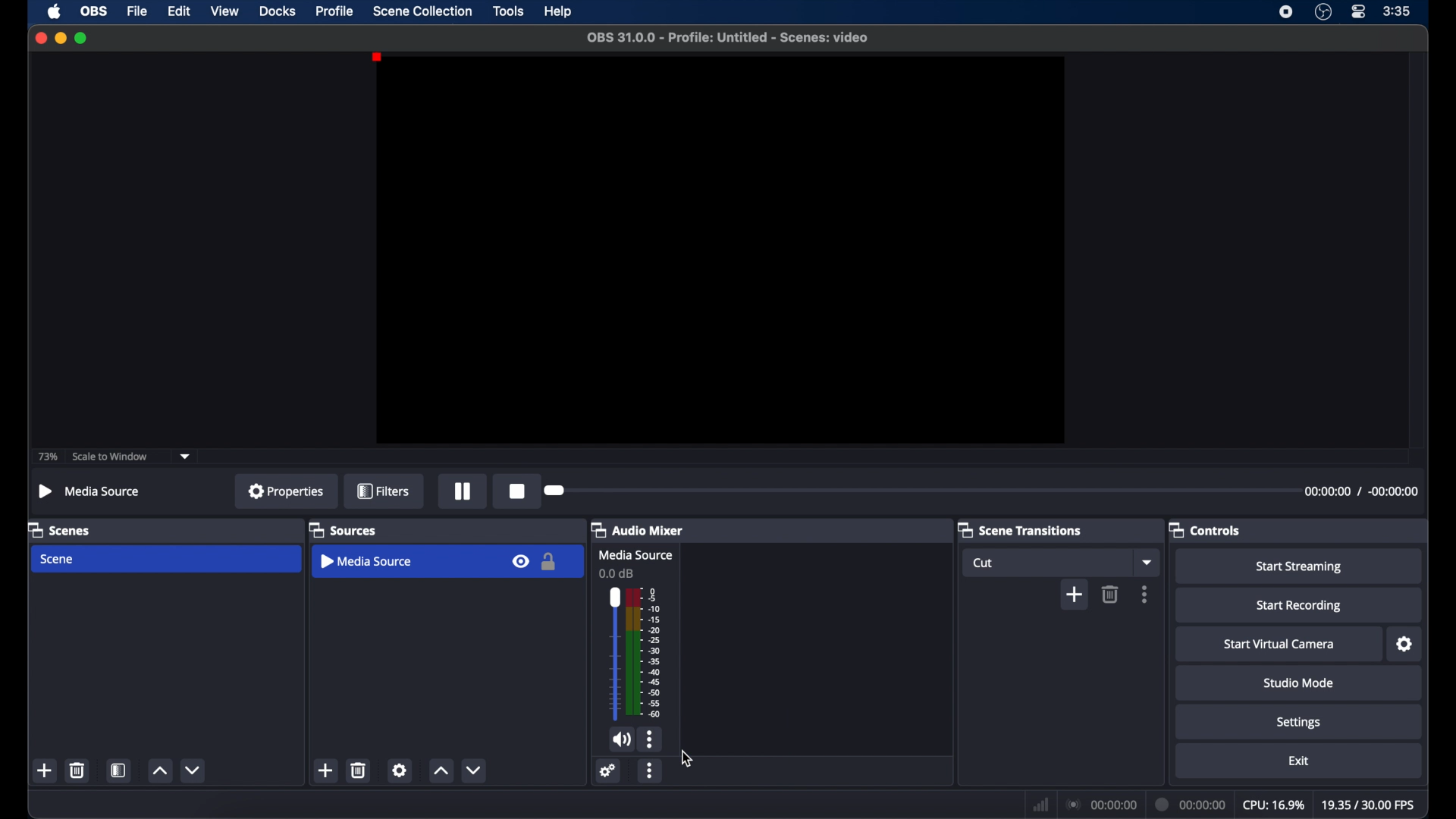 Image resolution: width=1456 pixels, height=819 pixels. Describe the element at coordinates (359, 770) in the screenshot. I see `delete` at that location.